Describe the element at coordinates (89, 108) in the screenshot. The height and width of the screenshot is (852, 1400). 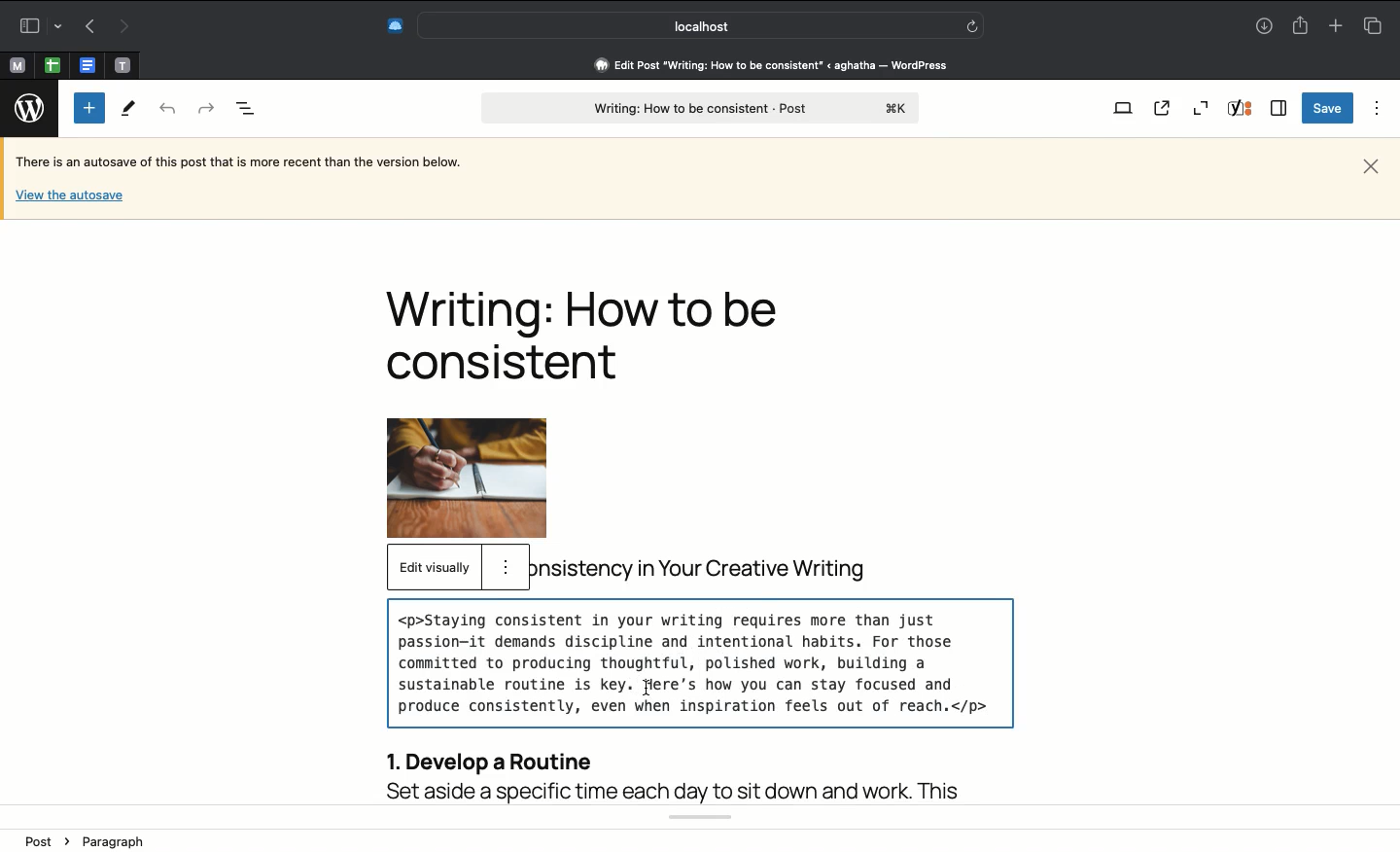
I see `Add new block` at that location.